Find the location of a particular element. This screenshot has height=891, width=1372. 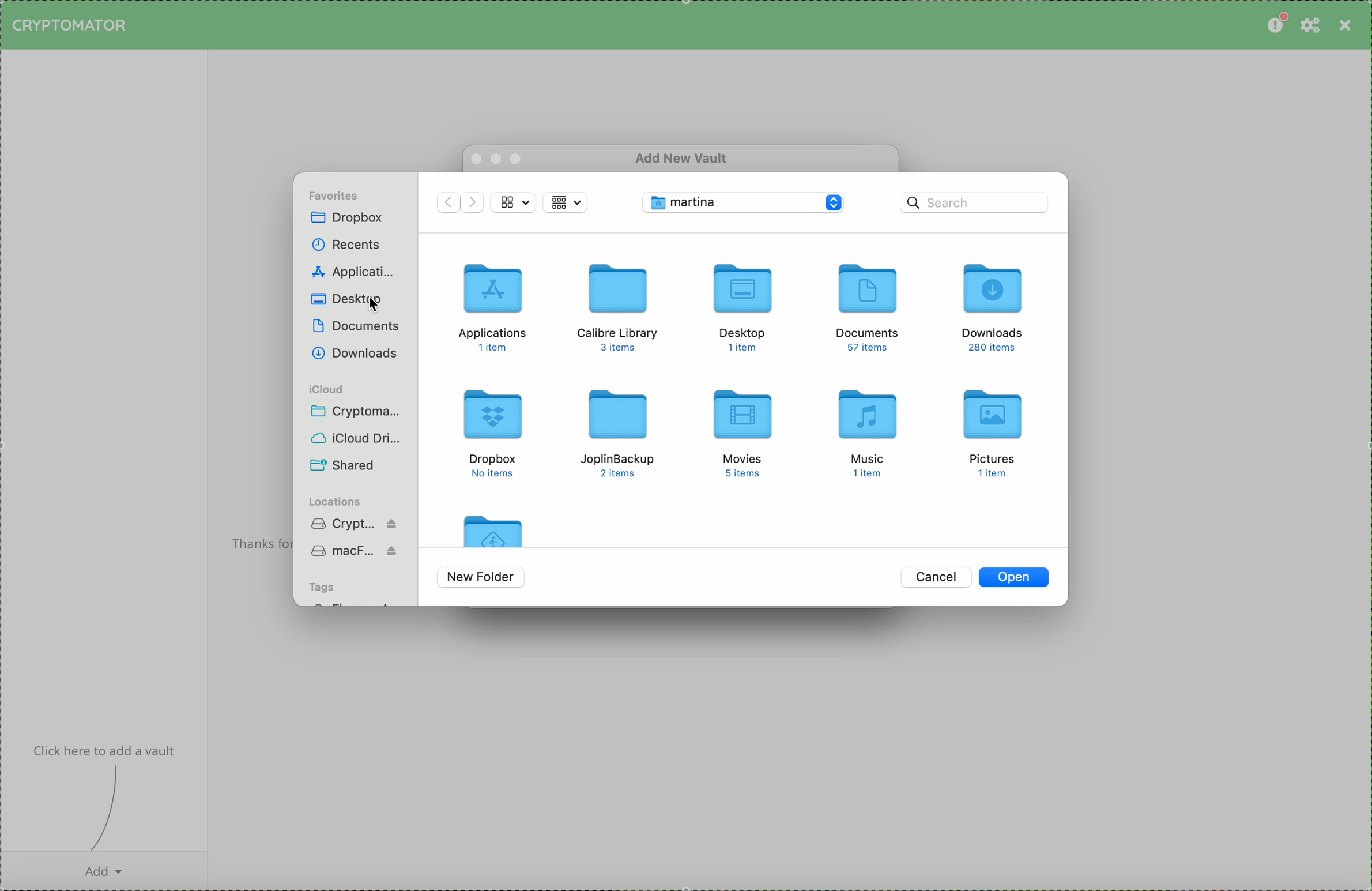

downloads is located at coordinates (356, 354).